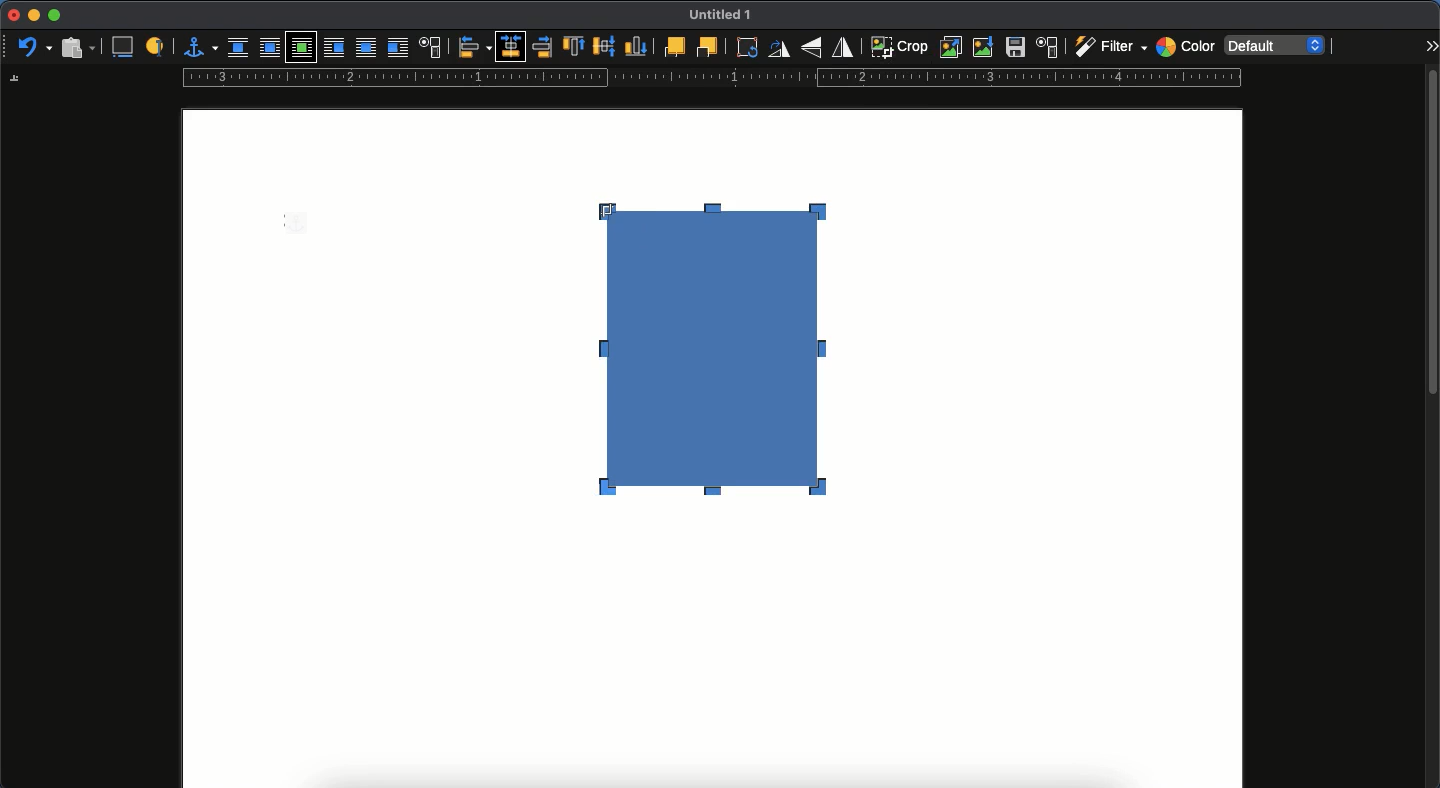  What do you see at coordinates (573, 48) in the screenshot?
I see `top to anchor` at bounding box center [573, 48].